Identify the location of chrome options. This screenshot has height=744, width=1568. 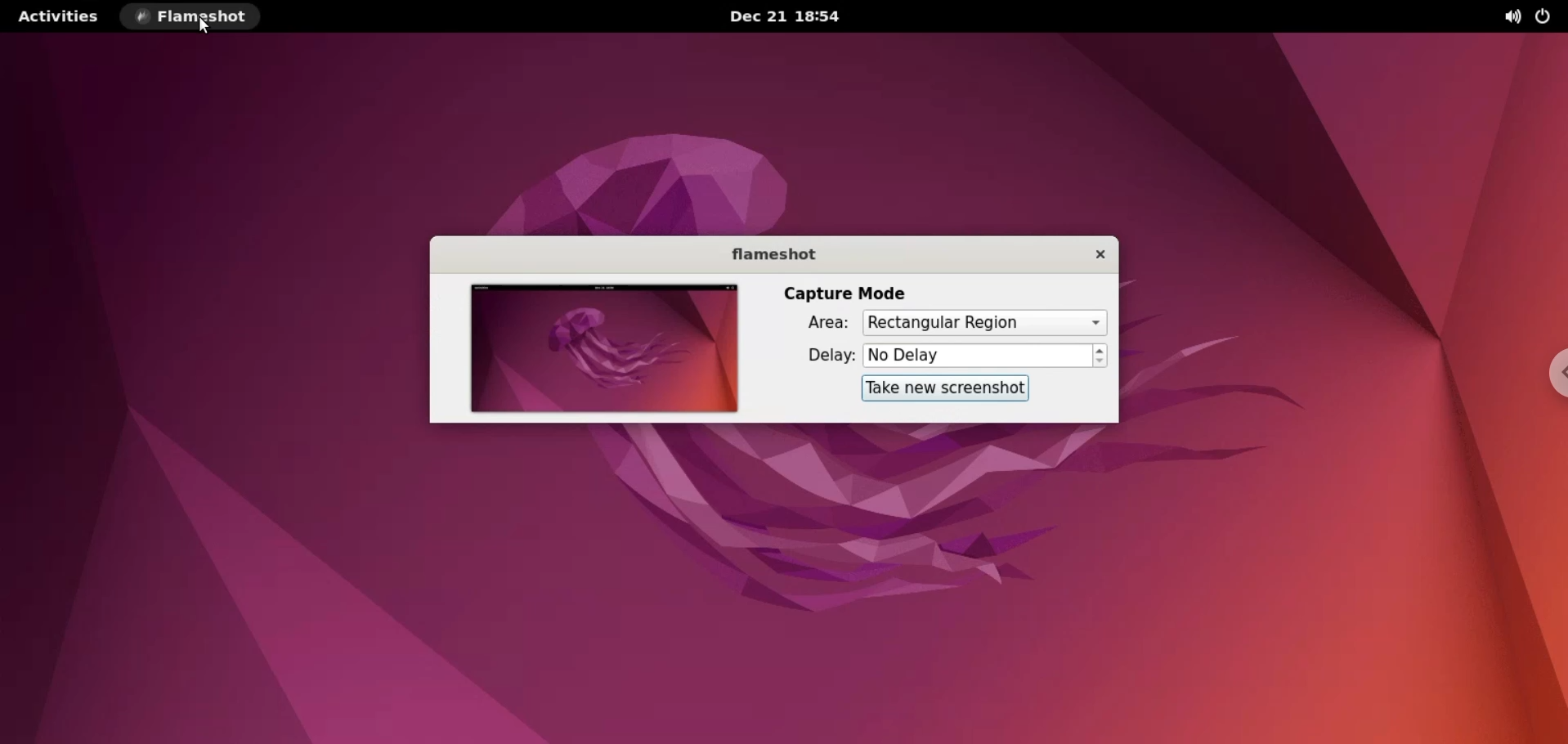
(1550, 372).